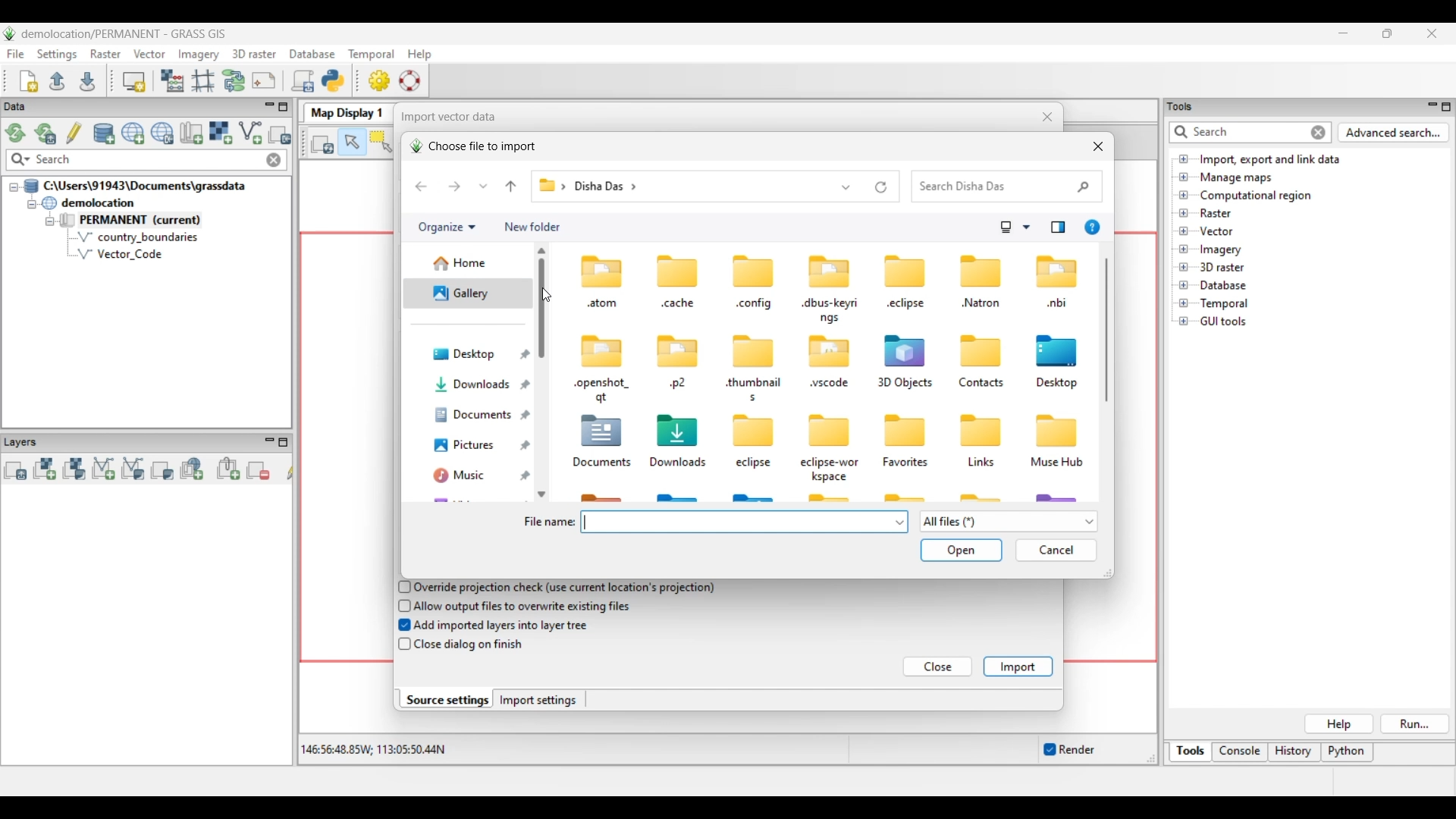 The image size is (1456, 819). What do you see at coordinates (981, 384) in the screenshot?
I see `Contacts` at bounding box center [981, 384].